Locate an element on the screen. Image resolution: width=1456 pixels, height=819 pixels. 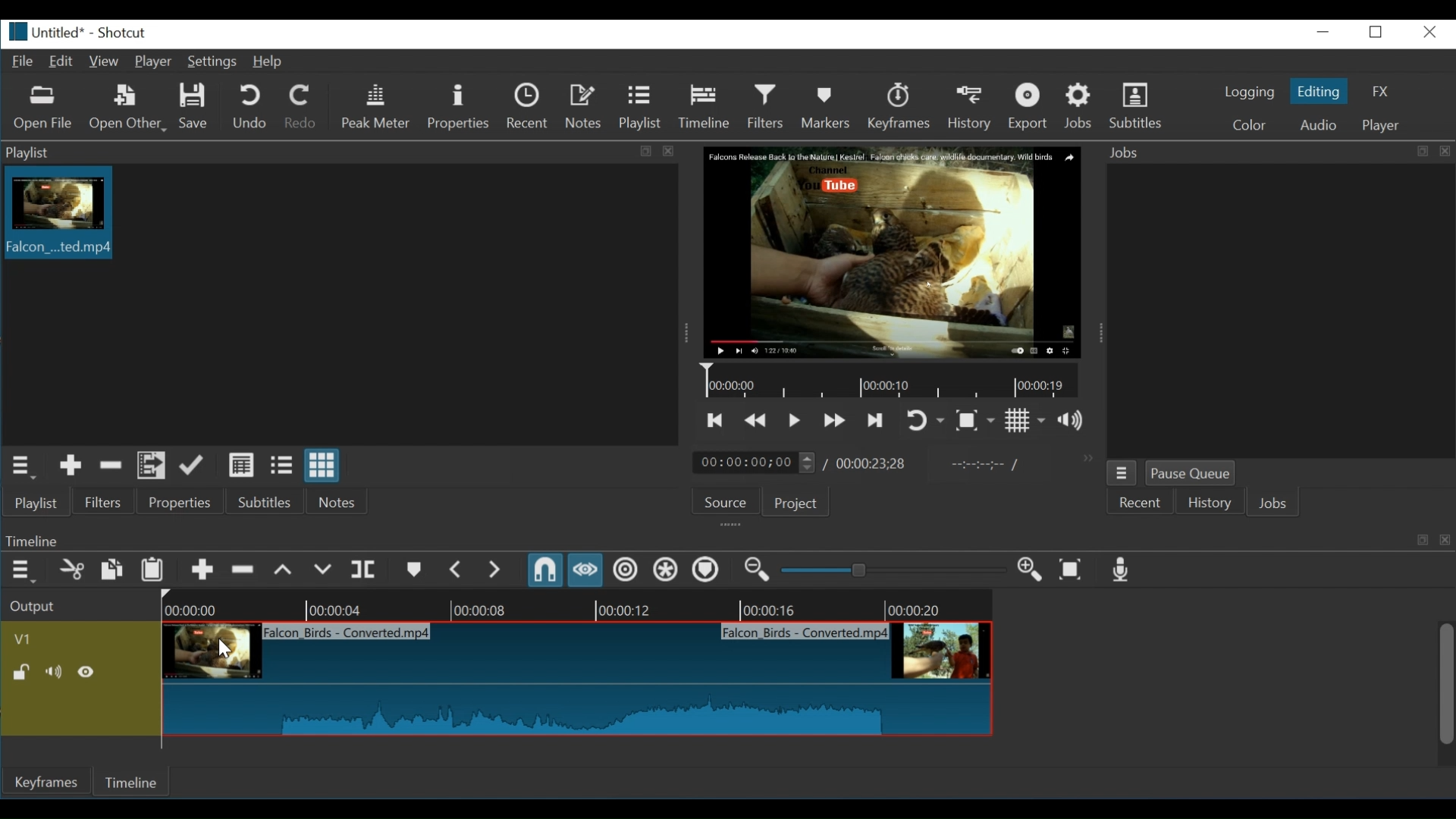
View as detail is located at coordinates (242, 466).